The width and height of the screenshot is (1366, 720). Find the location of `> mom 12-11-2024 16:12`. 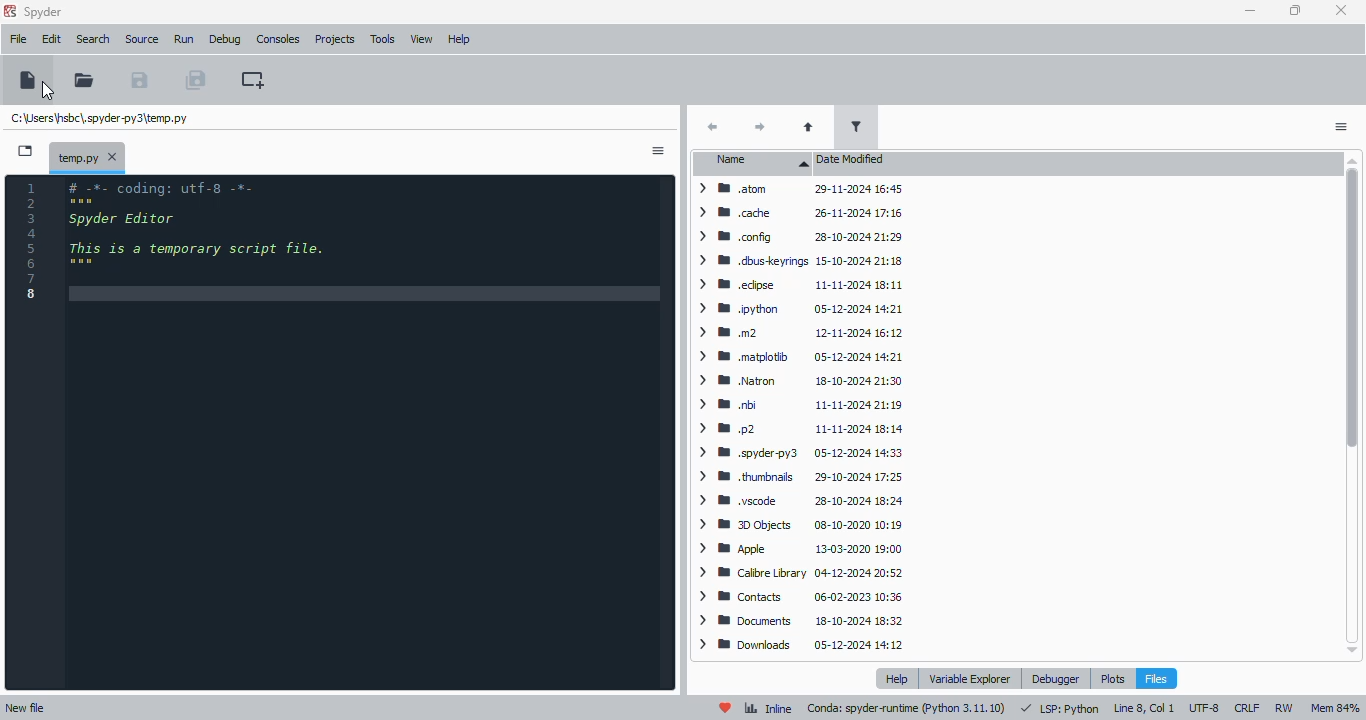

> mom 12-11-2024 16:12 is located at coordinates (797, 332).